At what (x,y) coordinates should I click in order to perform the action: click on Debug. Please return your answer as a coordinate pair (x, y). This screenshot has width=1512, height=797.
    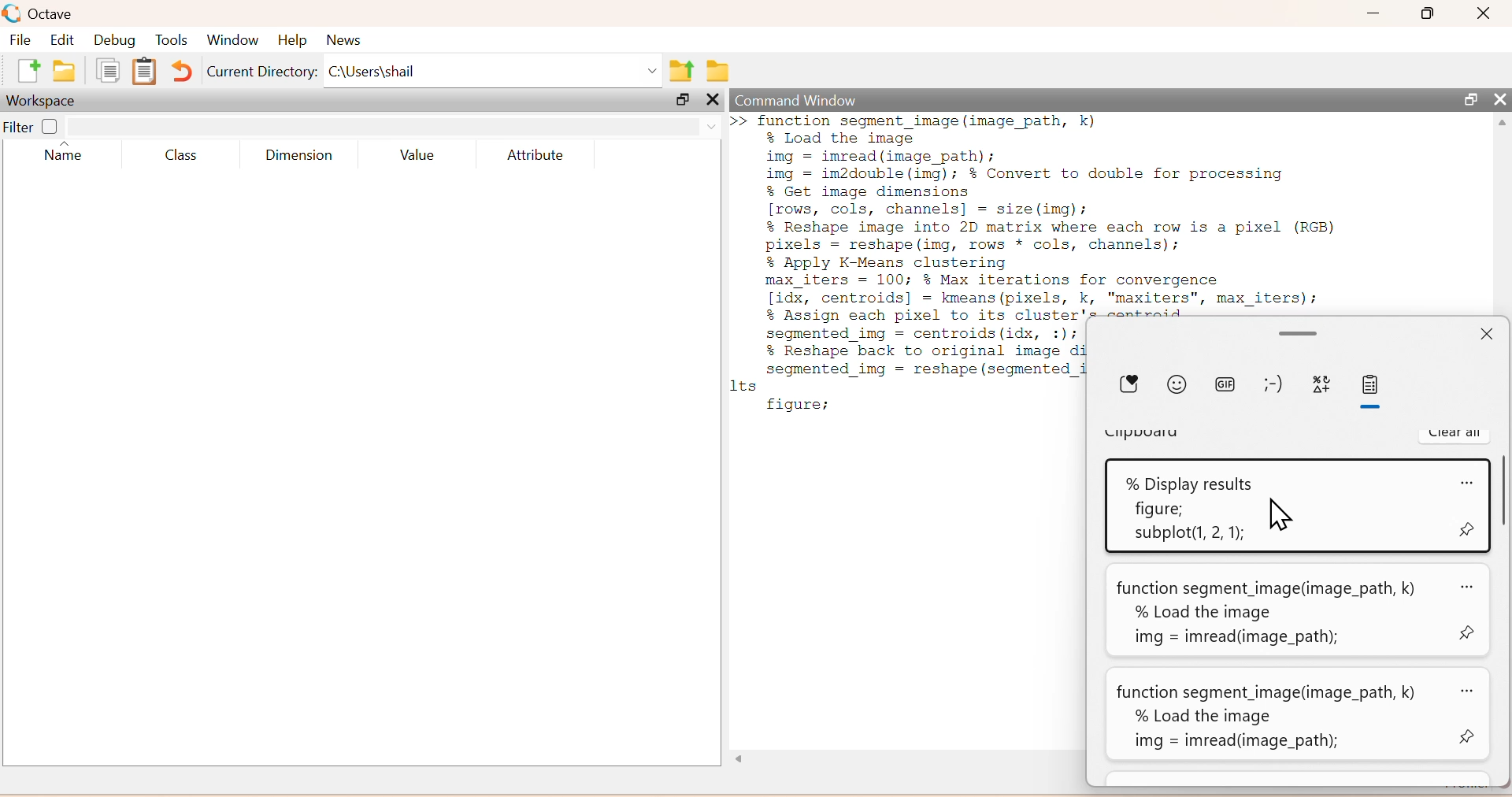
    Looking at the image, I should click on (113, 42).